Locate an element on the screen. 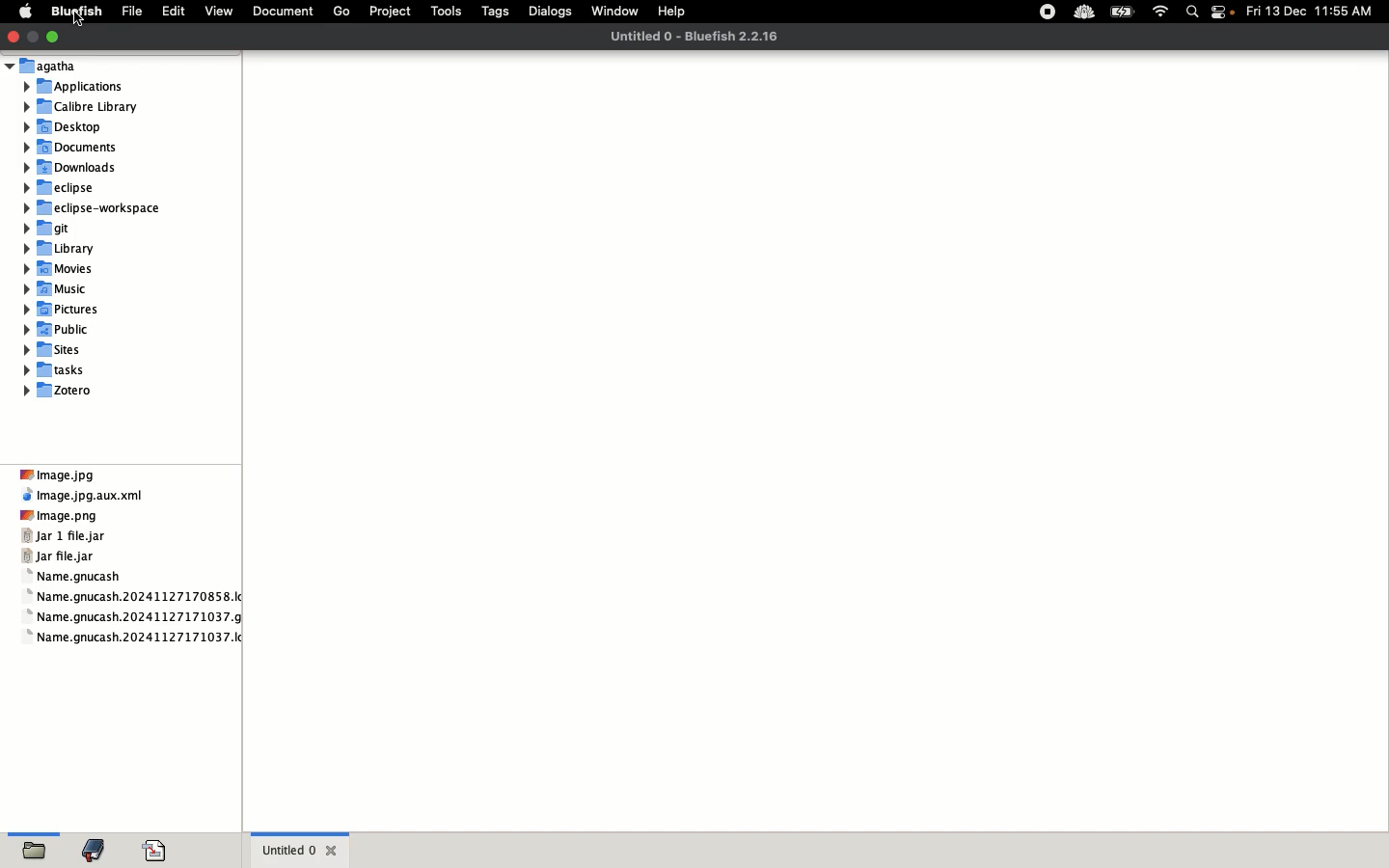 The image size is (1389, 868). library is located at coordinates (65, 249).